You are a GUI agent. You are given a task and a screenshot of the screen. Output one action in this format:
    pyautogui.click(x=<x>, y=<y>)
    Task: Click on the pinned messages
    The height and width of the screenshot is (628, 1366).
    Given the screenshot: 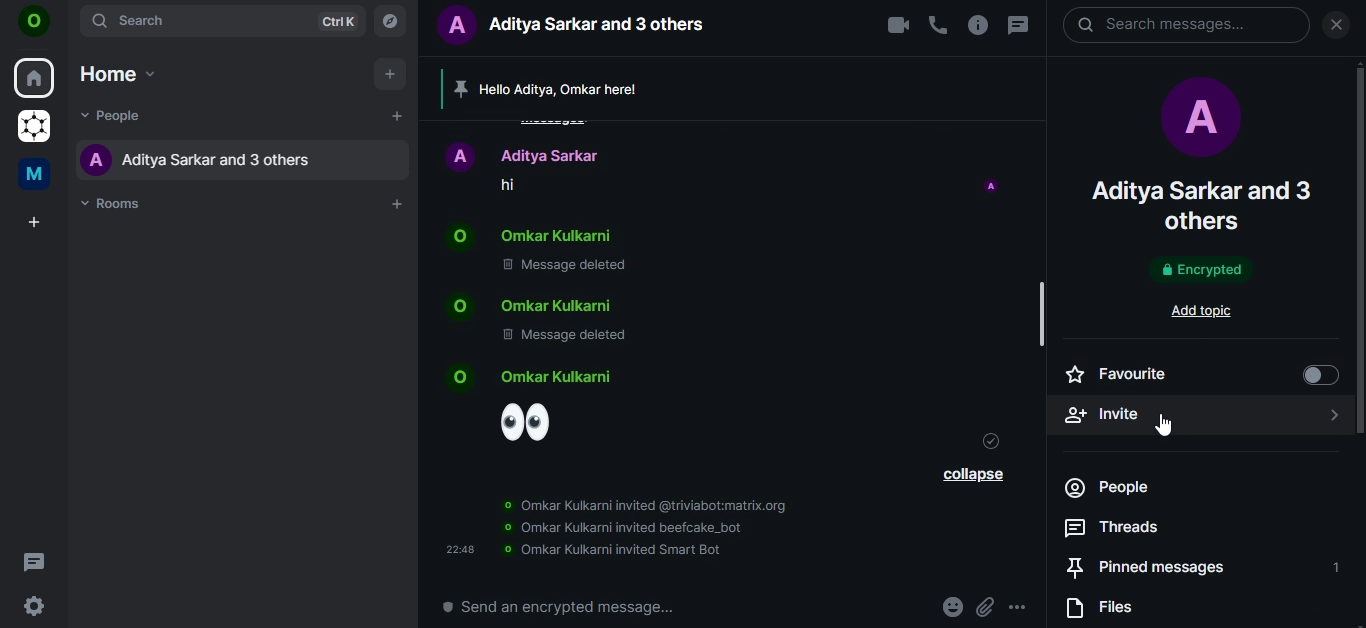 What is the action you would take?
    pyautogui.click(x=1198, y=567)
    